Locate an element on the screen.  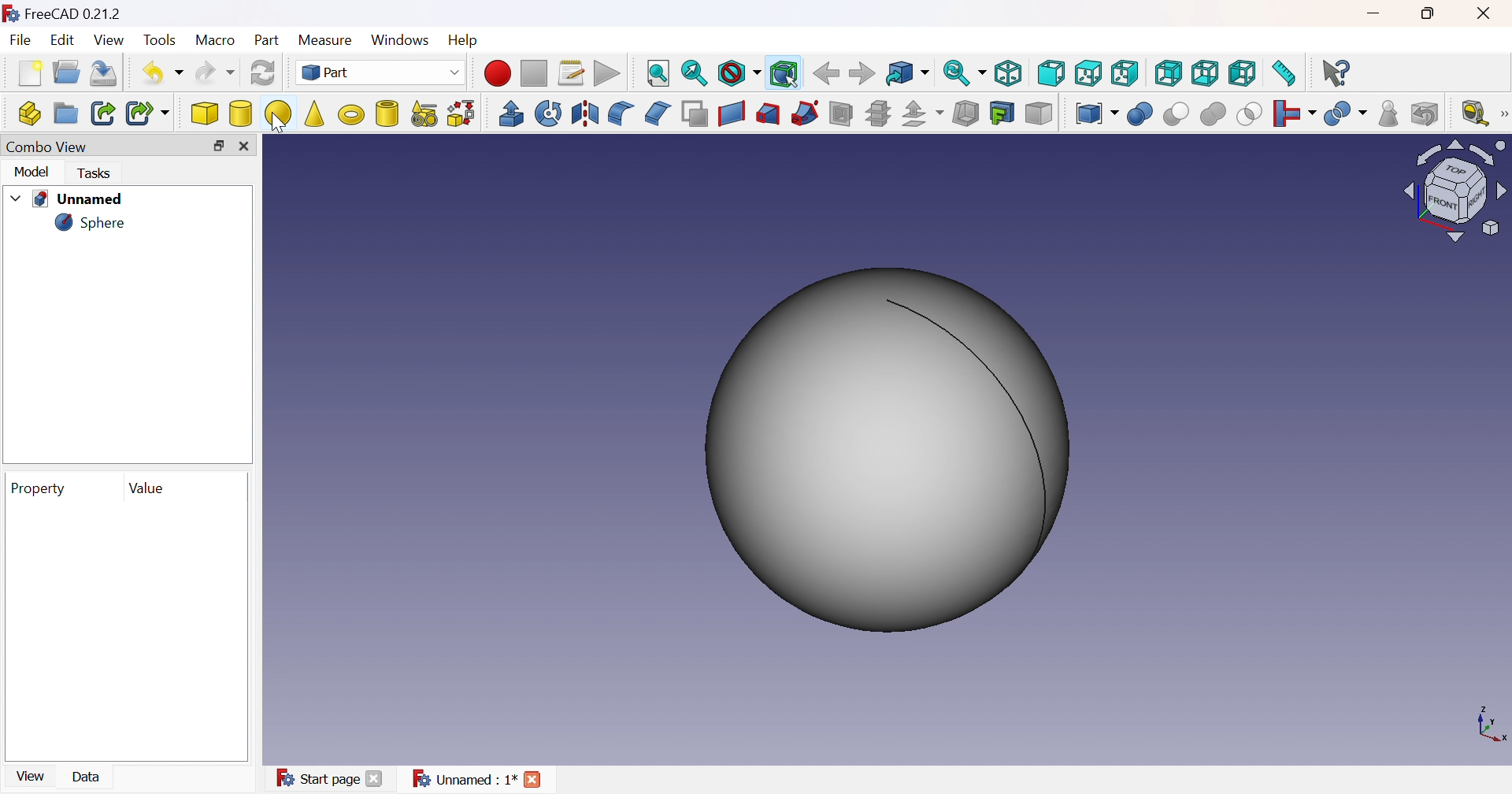
Create ruled surface is located at coordinates (731, 113).